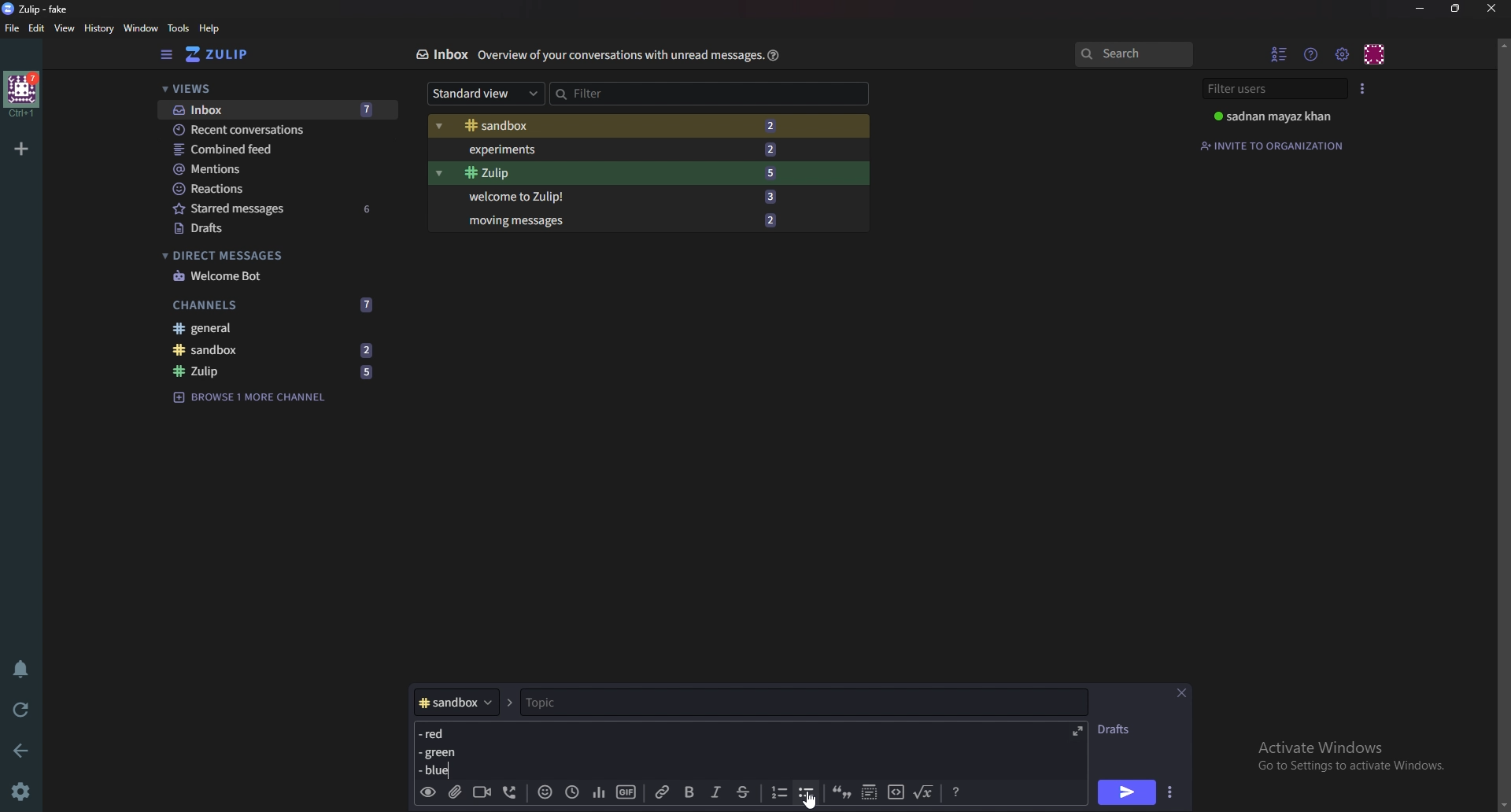 Image resolution: width=1511 pixels, height=812 pixels. Describe the element at coordinates (43, 9) in the screenshot. I see `title` at that location.